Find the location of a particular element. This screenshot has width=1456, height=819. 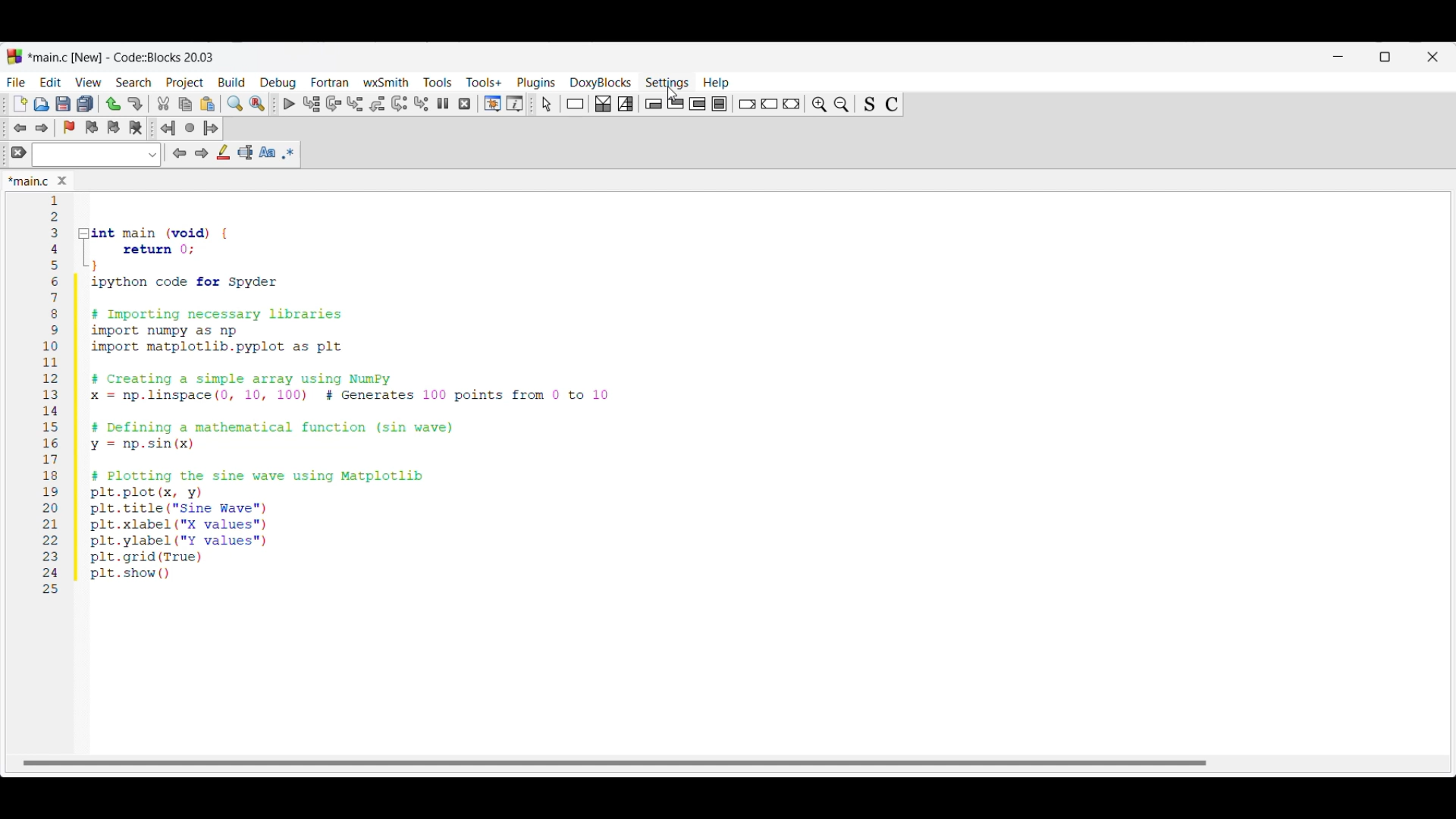

Highlight is located at coordinates (223, 152).